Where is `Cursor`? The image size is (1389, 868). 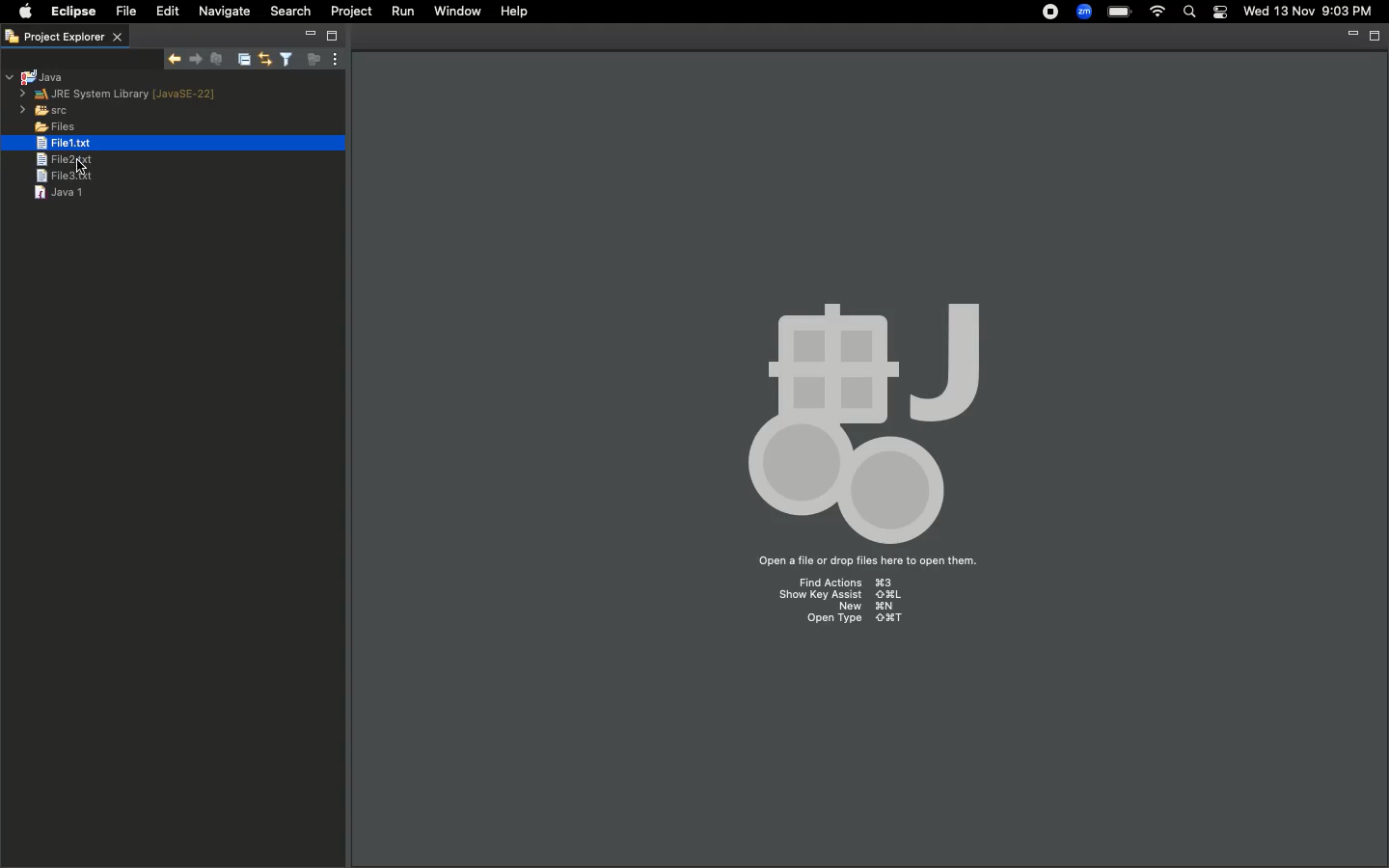
Cursor is located at coordinates (88, 159).